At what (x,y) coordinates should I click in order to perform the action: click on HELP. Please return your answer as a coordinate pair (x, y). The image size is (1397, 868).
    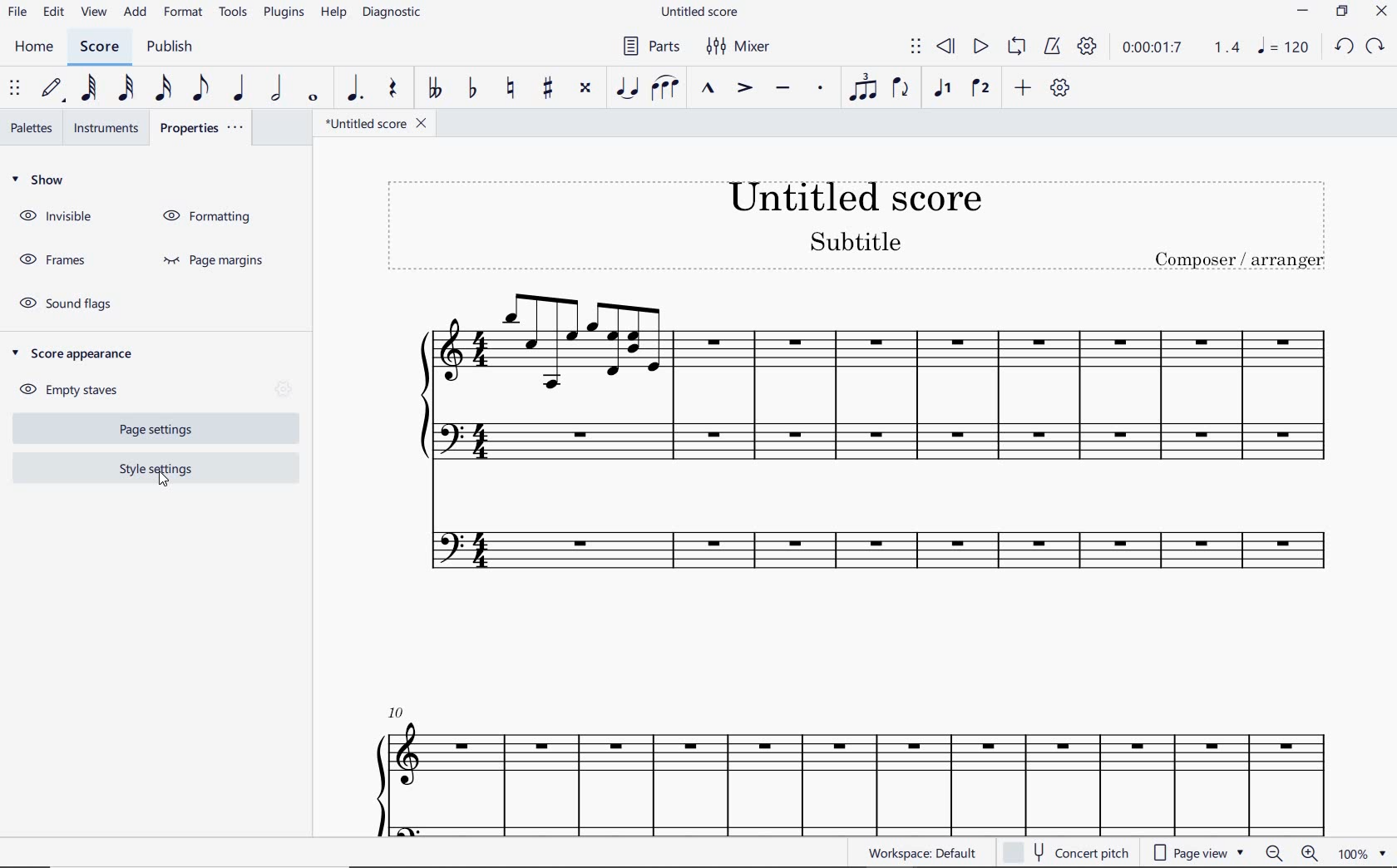
    Looking at the image, I should click on (333, 12).